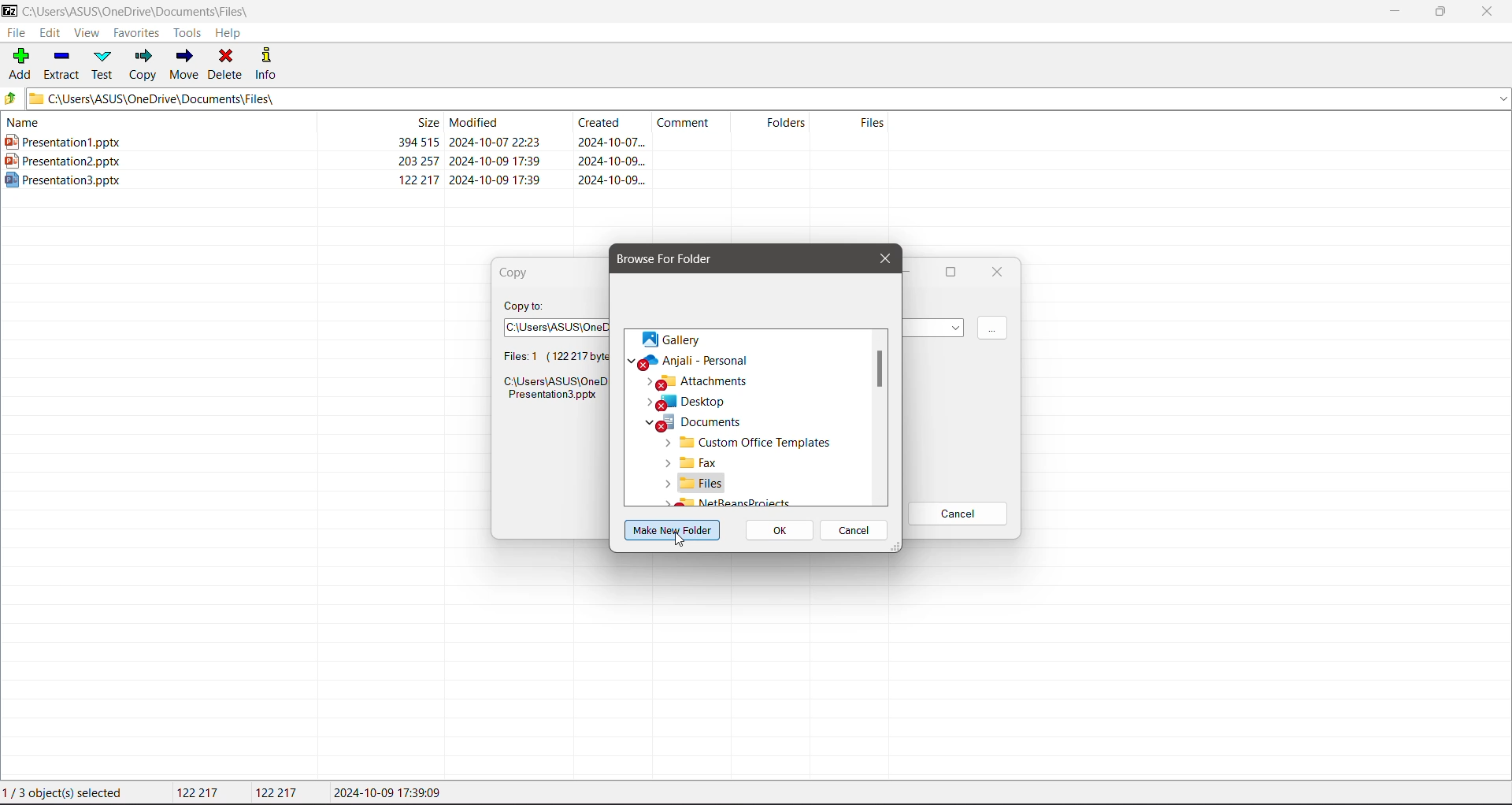  Describe the element at coordinates (696, 483) in the screenshot. I see `Files` at that location.